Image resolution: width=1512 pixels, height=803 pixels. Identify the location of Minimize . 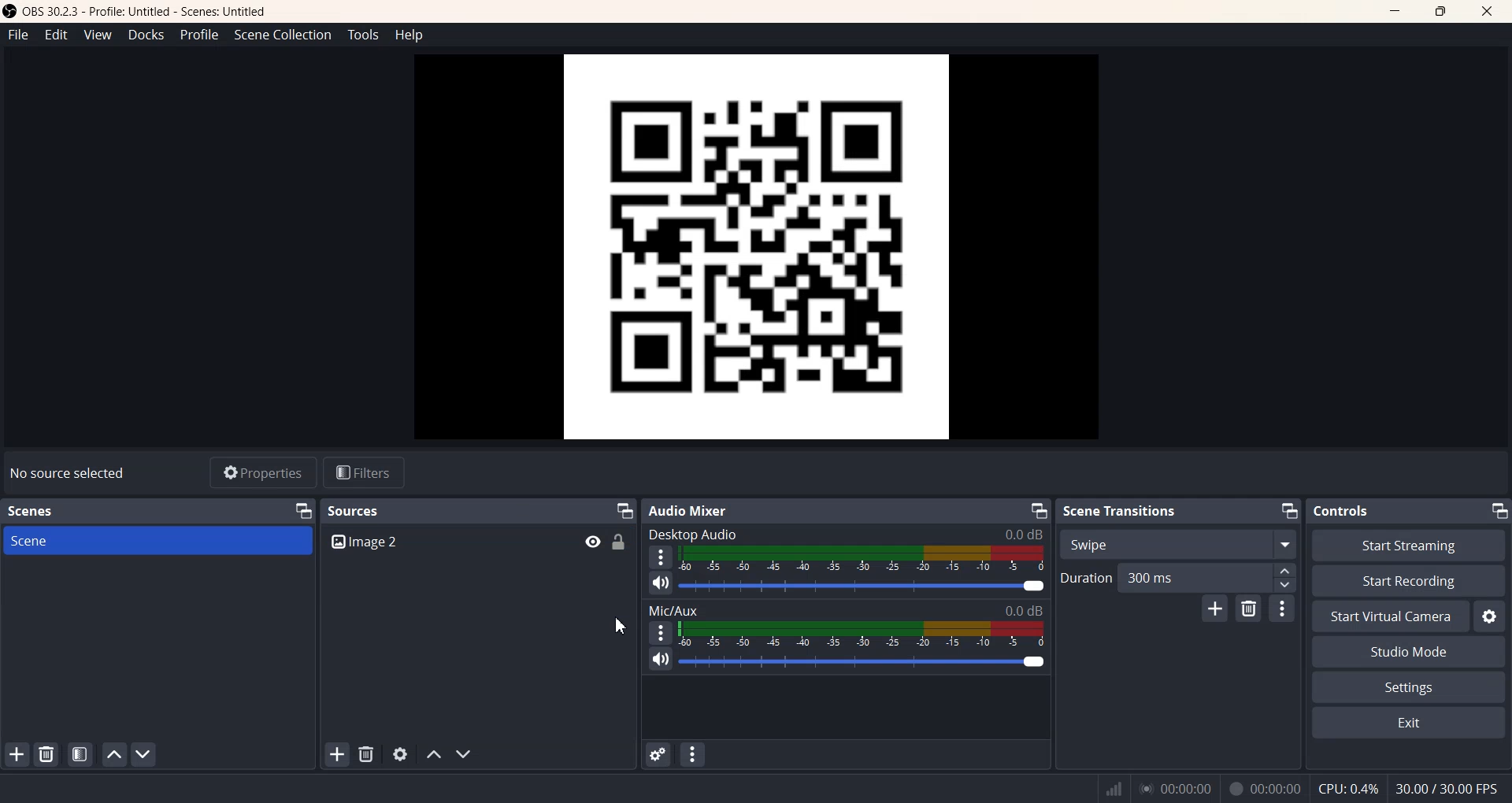
(1386, 11).